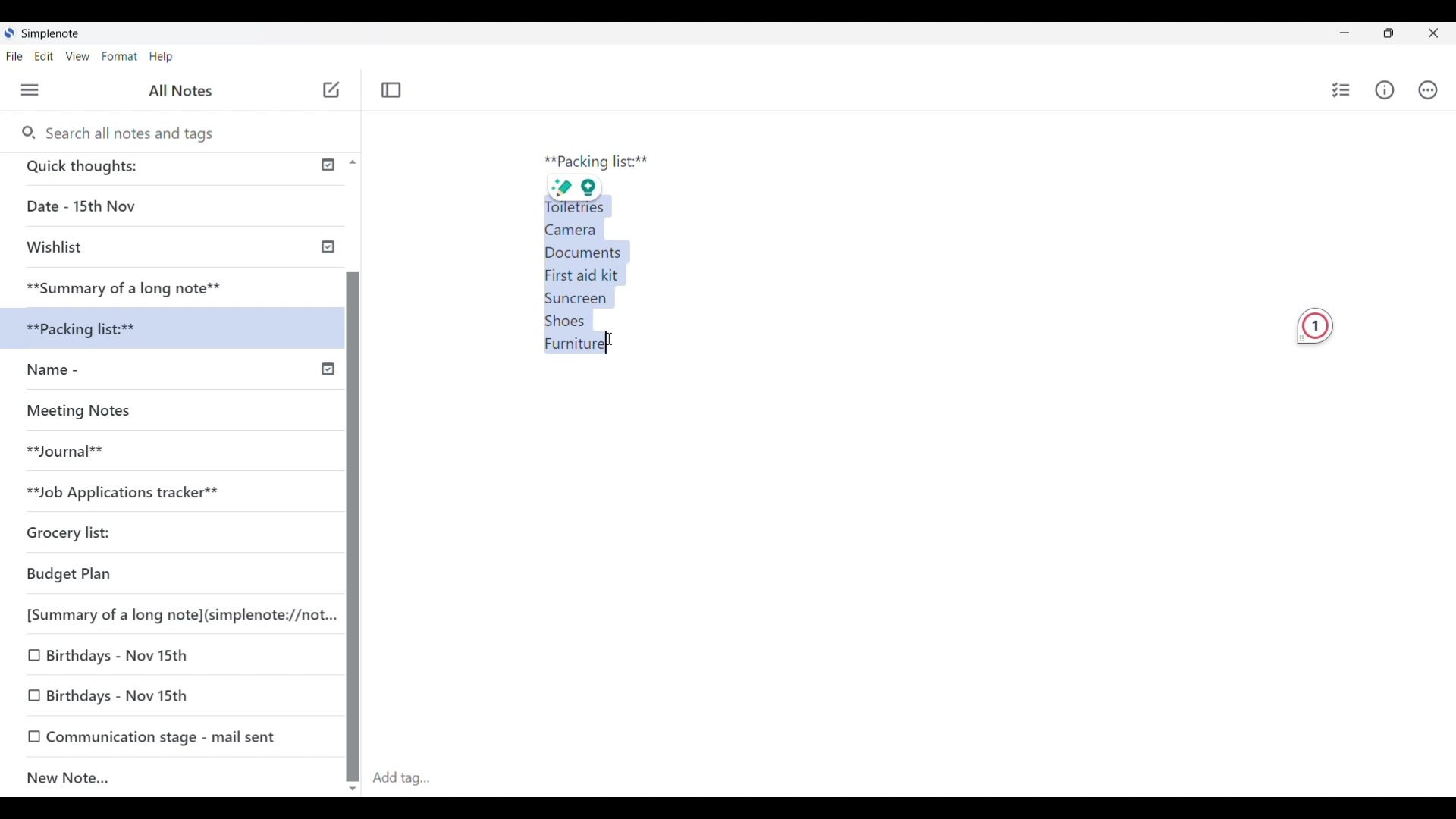 This screenshot has height=819, width=1456. What do you see at coordinates (596, 187) in the screenshot?
I see `idea` at bounding box center [596, 187].